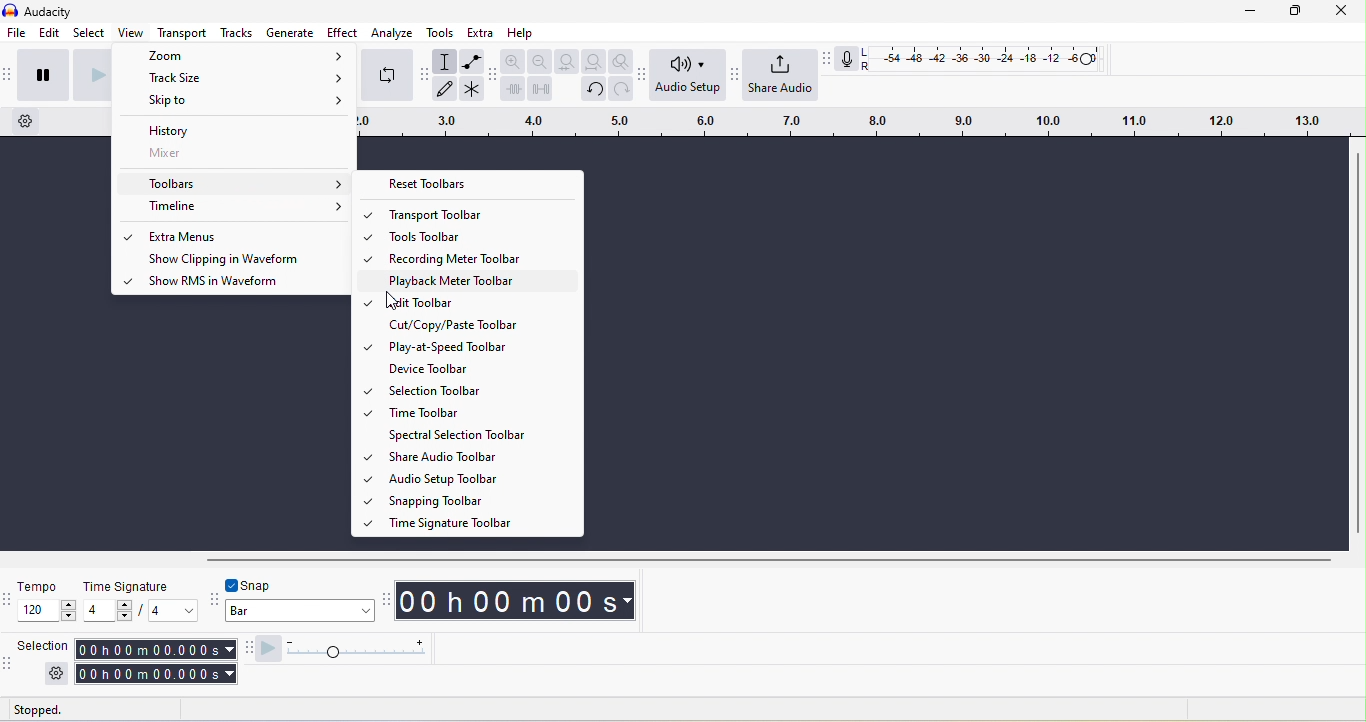  What do you see at coordinates (492, 77) in the screenshot?
I see `audacity edit toolbar` at bounding box center [492, 77].